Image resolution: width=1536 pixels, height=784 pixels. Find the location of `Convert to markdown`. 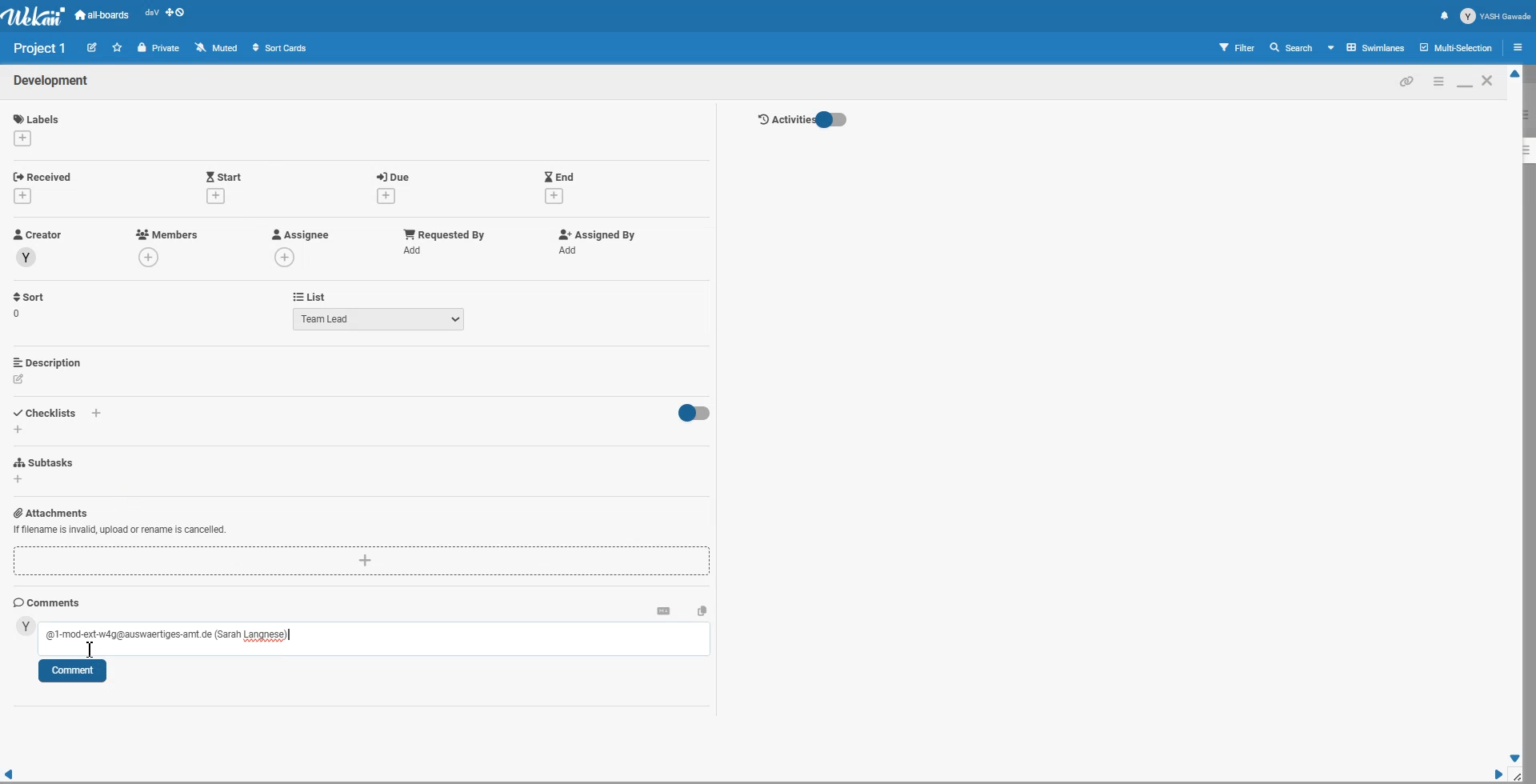

Convert to markdown is located at coordinates (663, 610).